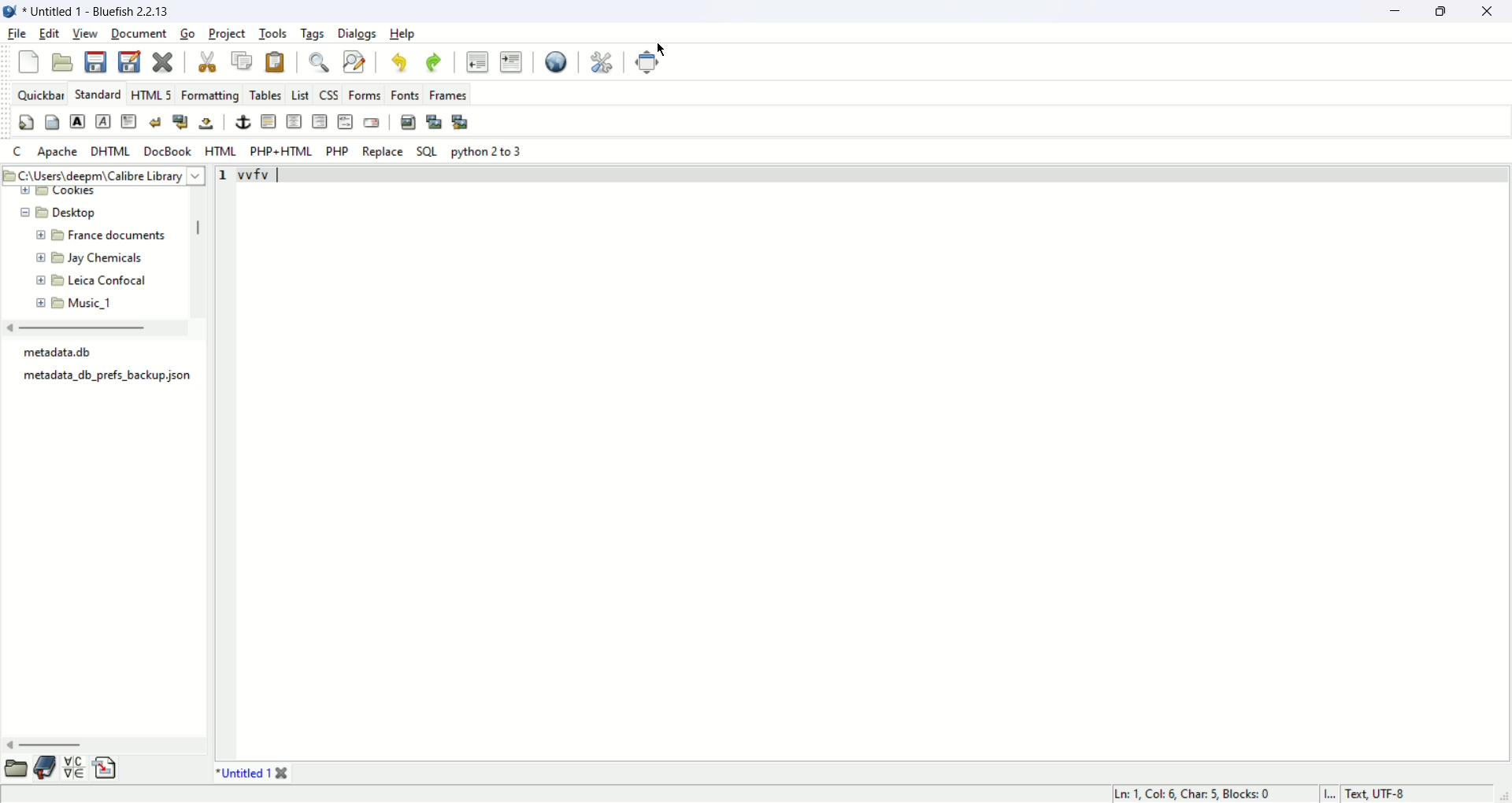 The height and width of the screenshot is (803, 1512). I want to click on quickstart, so click(23, 121).